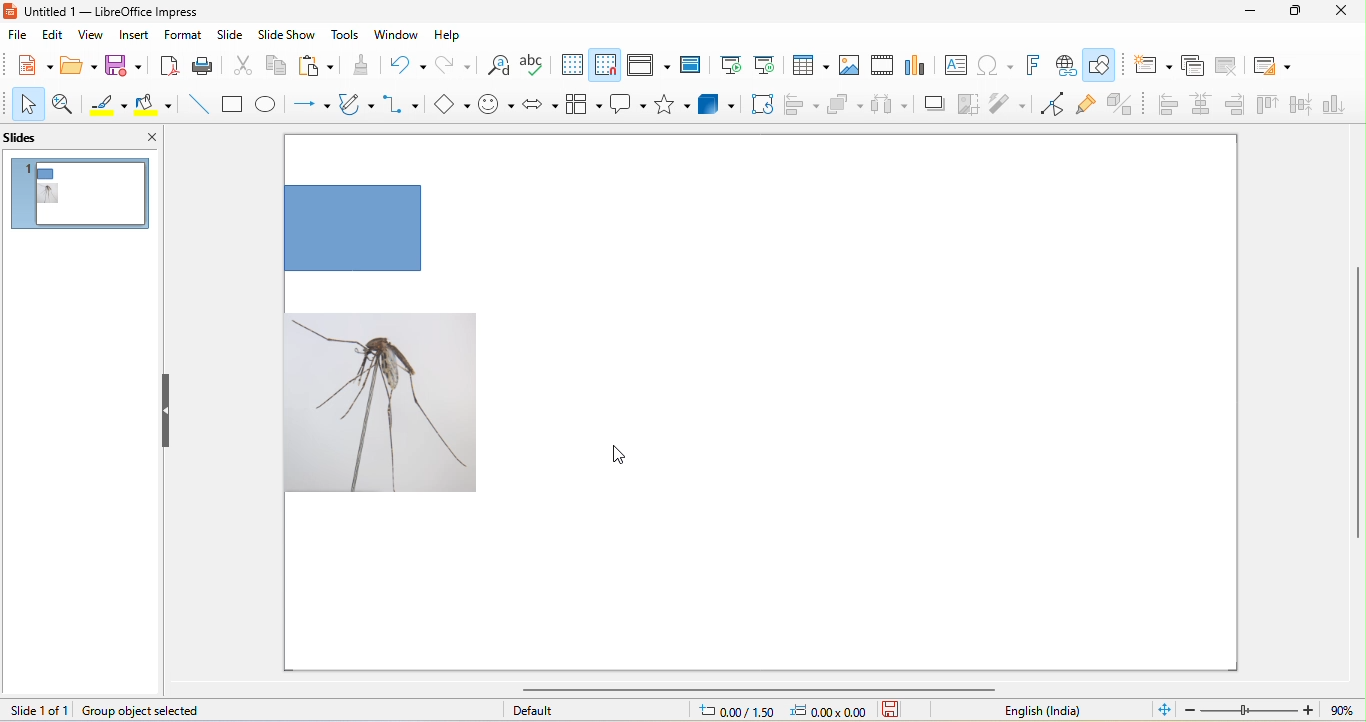 Image resolution: width=1366 pixels, height=722 pixels. I want to click on vertical scroll bar, so click(1357, 404).